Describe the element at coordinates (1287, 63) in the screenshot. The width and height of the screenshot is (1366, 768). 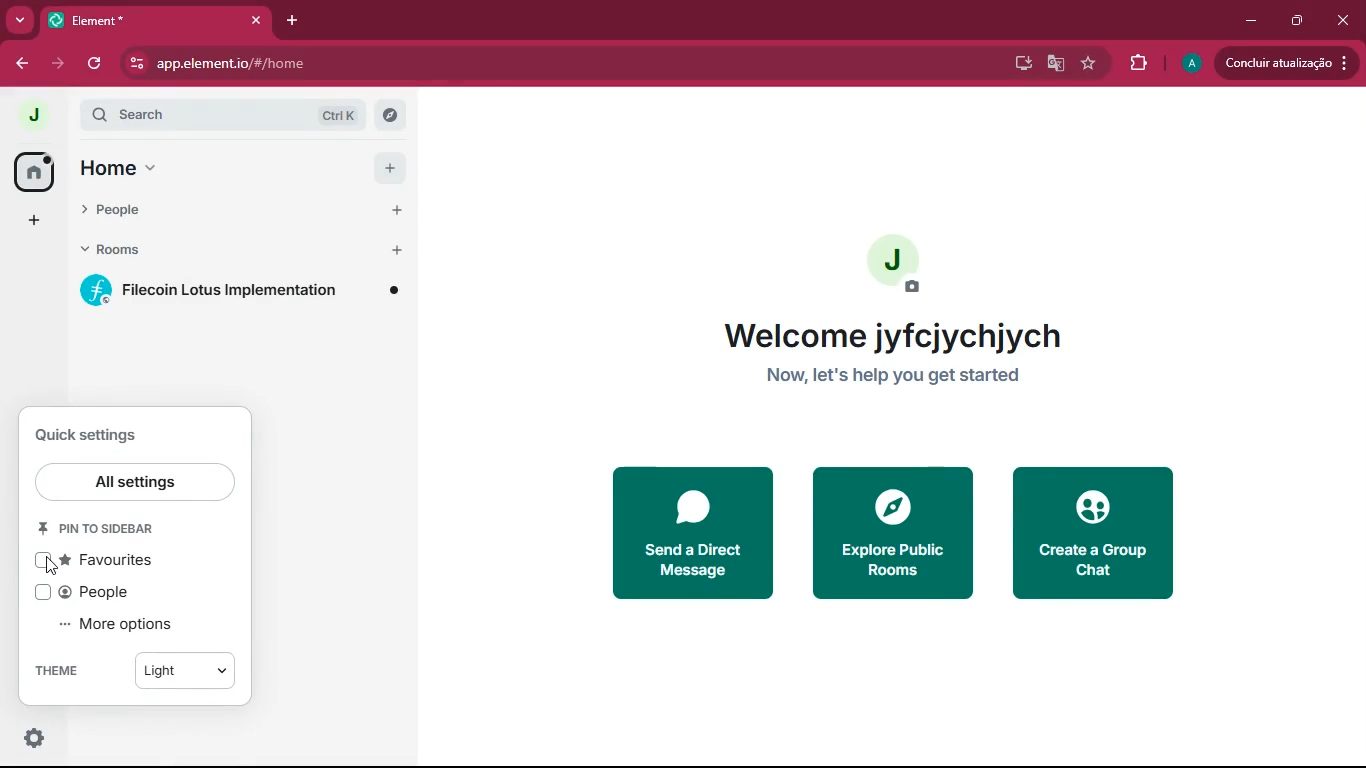
I see `update` at that location.